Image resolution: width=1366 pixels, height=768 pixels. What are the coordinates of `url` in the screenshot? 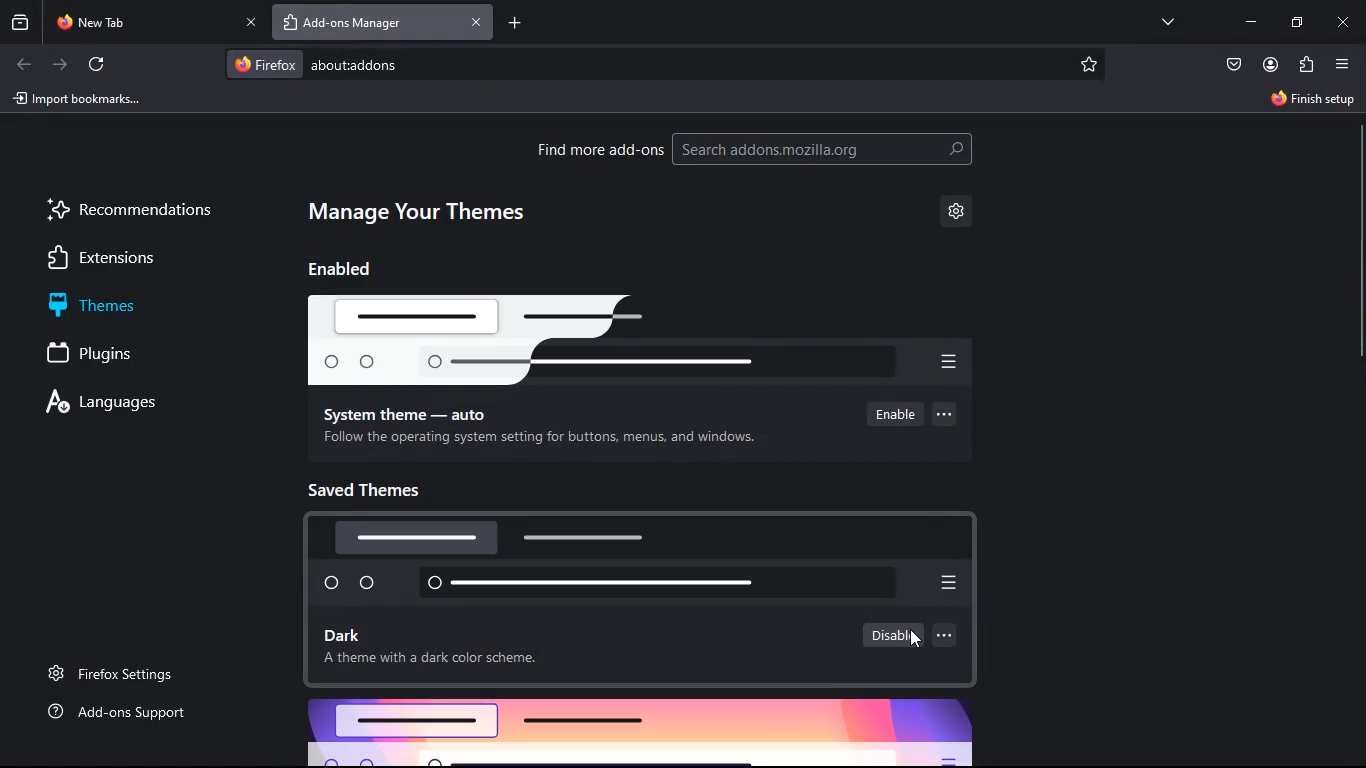 It's located at (398, 64).